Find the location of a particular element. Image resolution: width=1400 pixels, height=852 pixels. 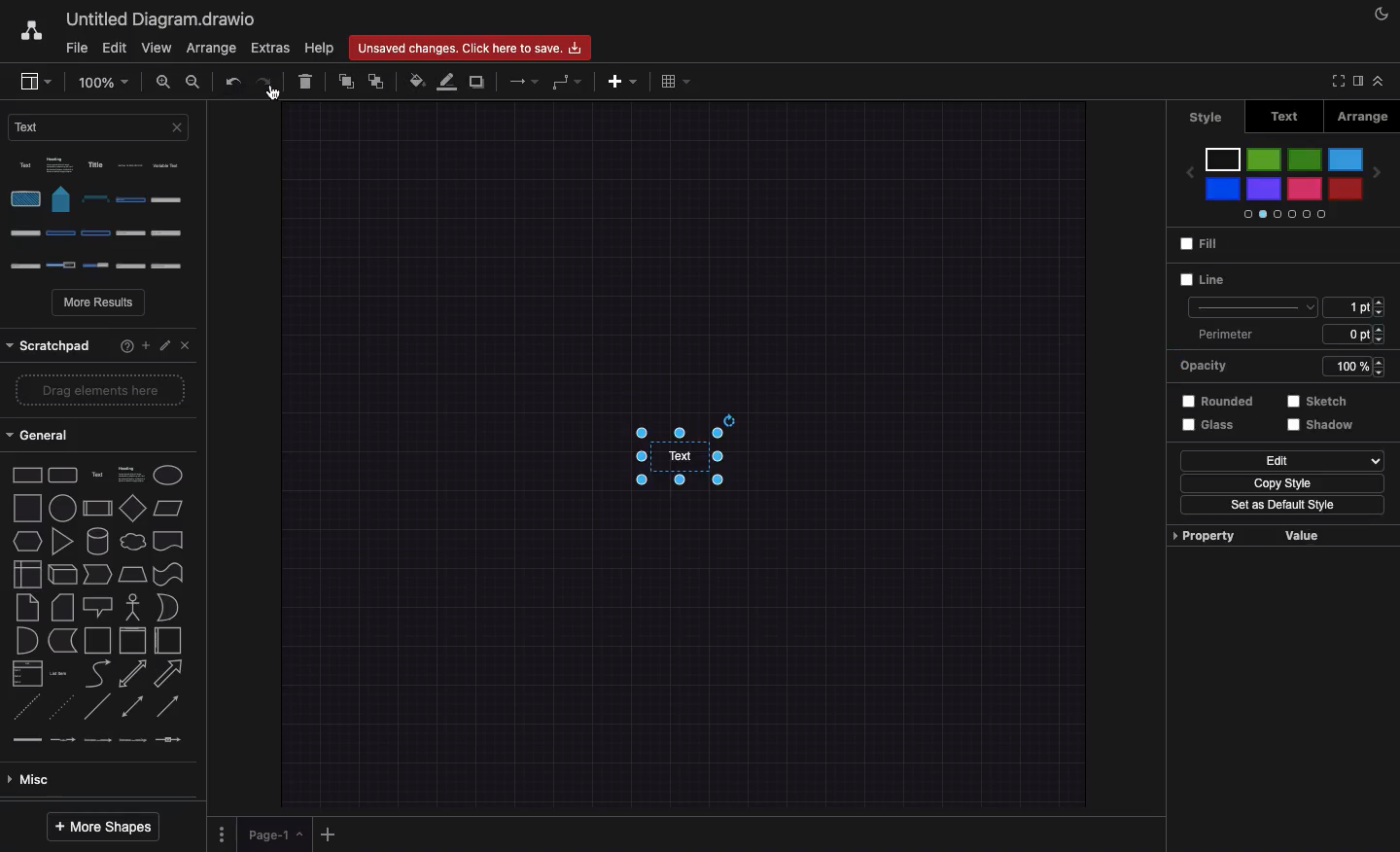

Duplicate is located at coordinates (478, 83).